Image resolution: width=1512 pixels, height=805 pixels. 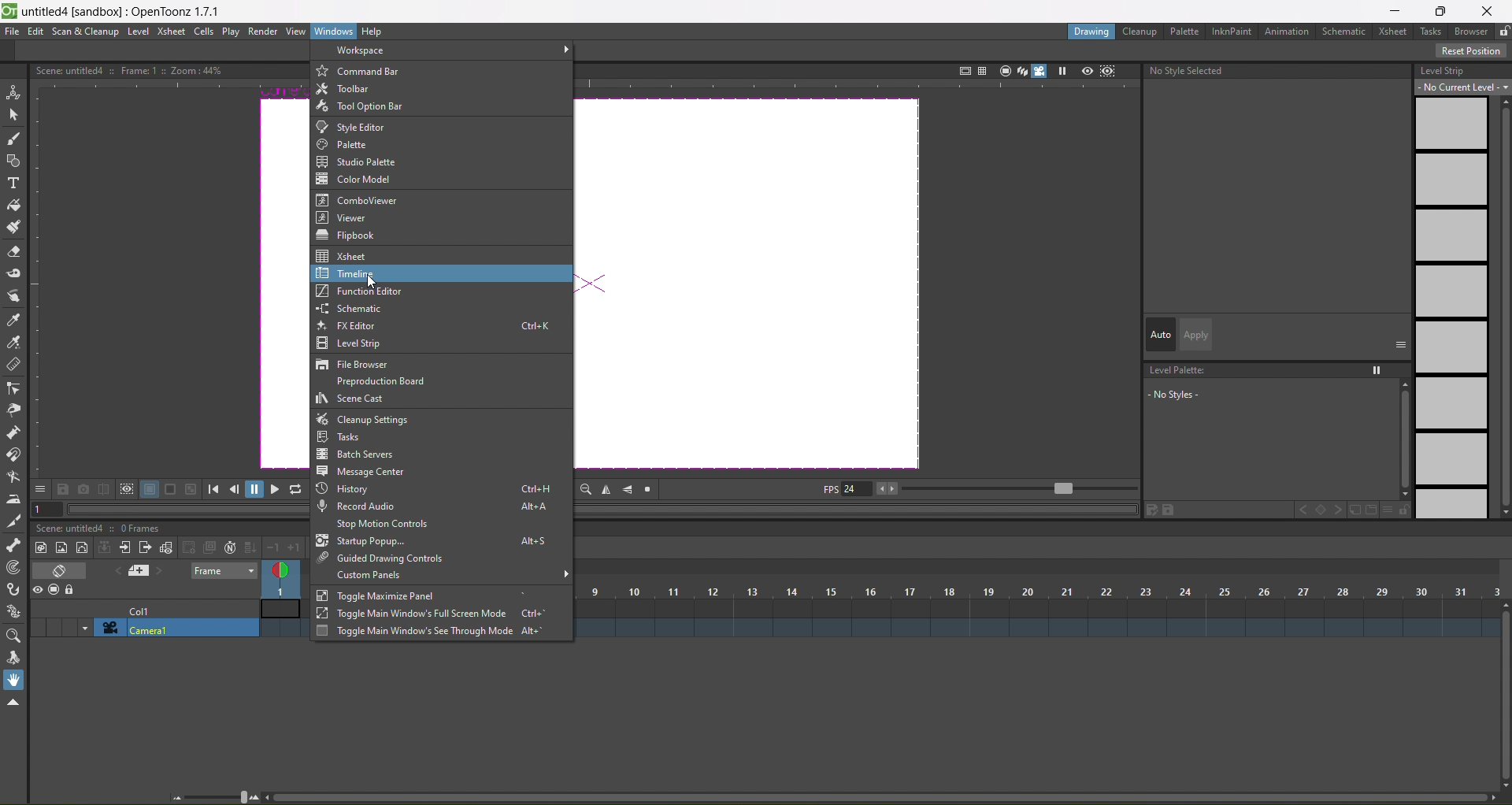 What do you see at coordinates (1087, 70) in the screenshot?
I see `preview` at bounding box center [1087, 70].